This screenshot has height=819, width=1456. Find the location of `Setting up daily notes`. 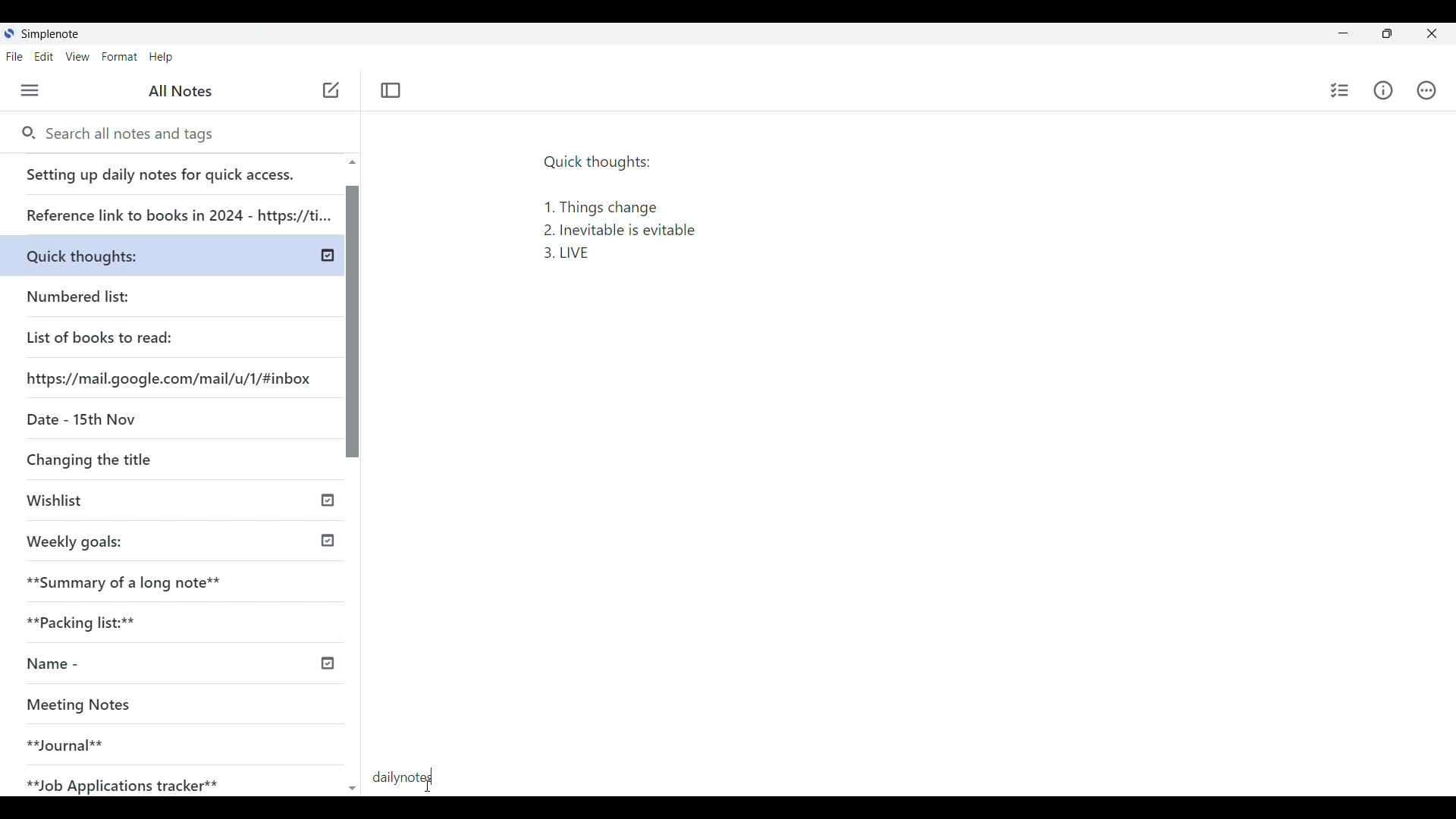

Setting up daily notes is located at coordinates (174, 170).